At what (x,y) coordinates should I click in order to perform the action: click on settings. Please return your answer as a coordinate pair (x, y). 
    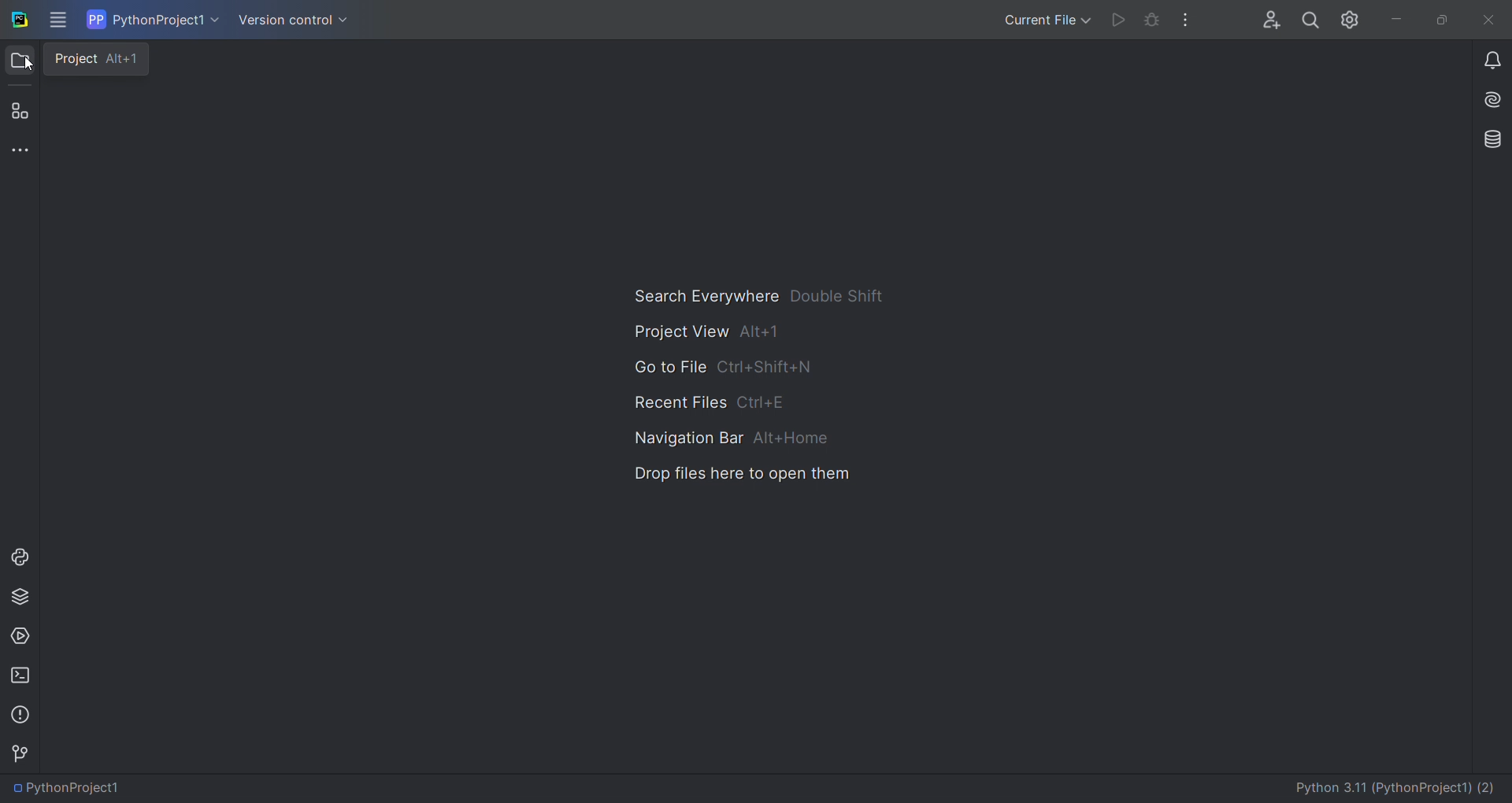
    Looking at the image, I should click on (1346, 22).